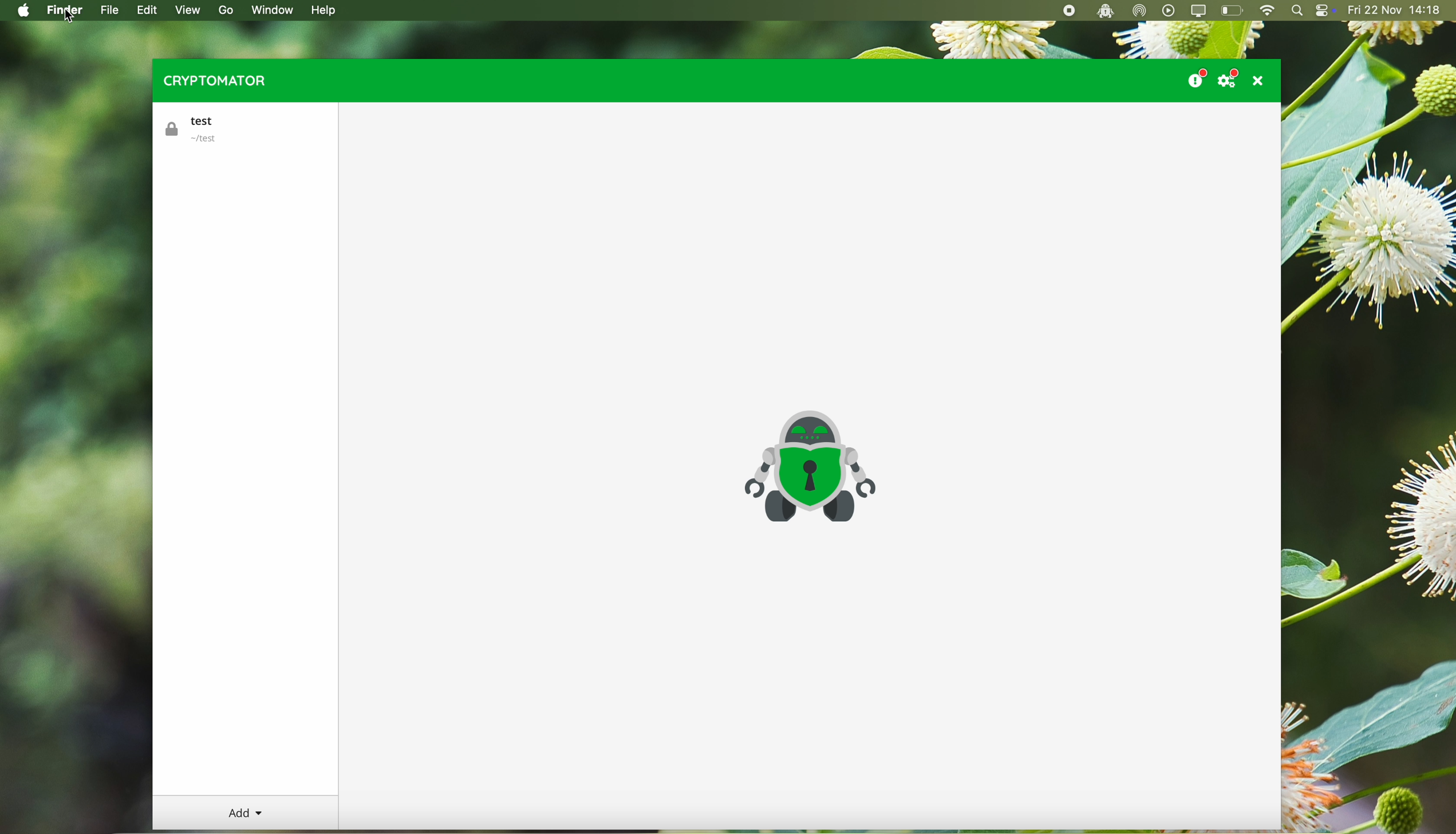  What do you see at coordinates (1140, 11) in the screenshot?
I see `airdrop` at bounding box center [1140, 11].